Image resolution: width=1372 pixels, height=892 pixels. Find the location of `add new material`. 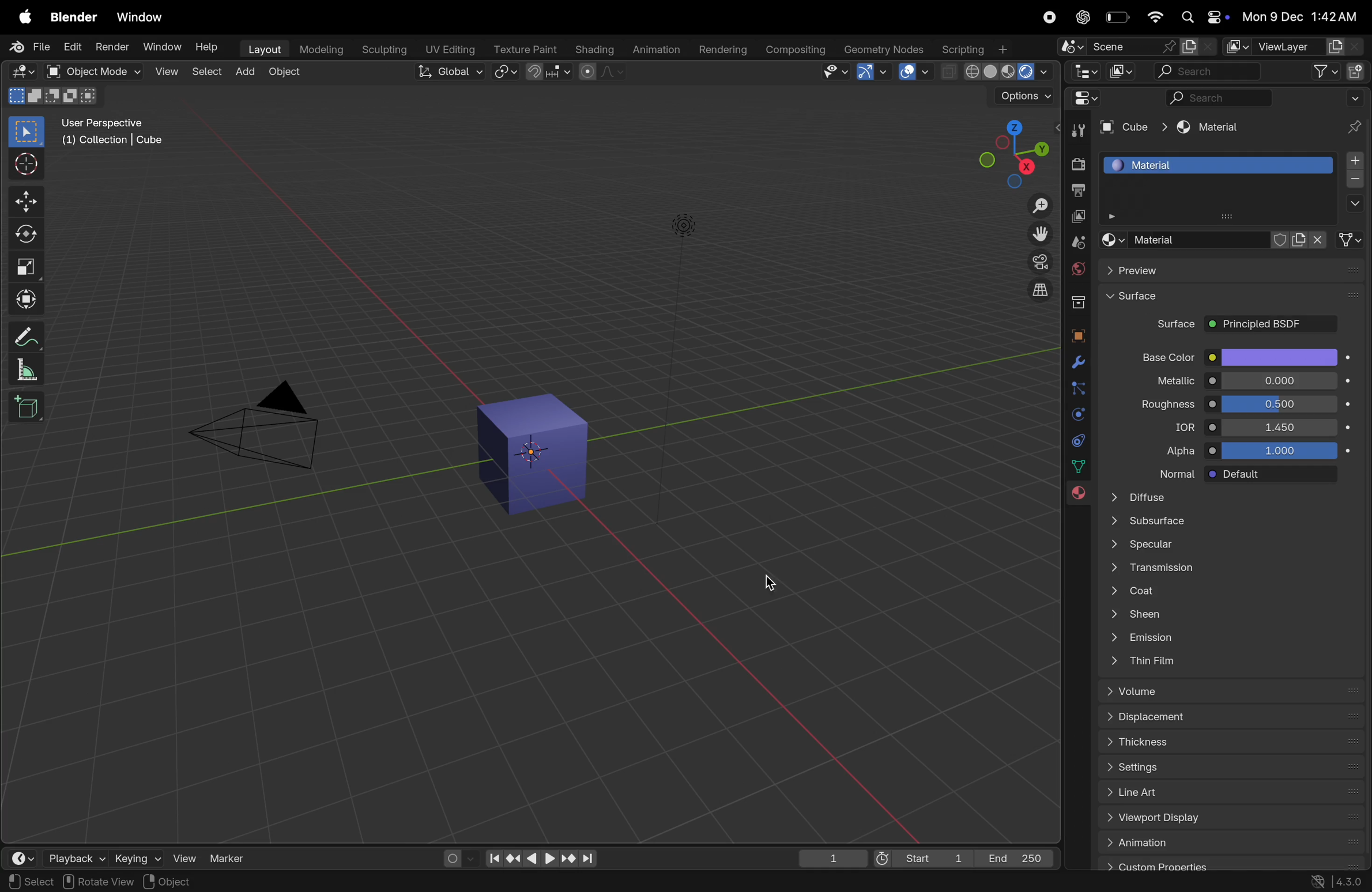

add new material is located at coordinates (1302, 240).